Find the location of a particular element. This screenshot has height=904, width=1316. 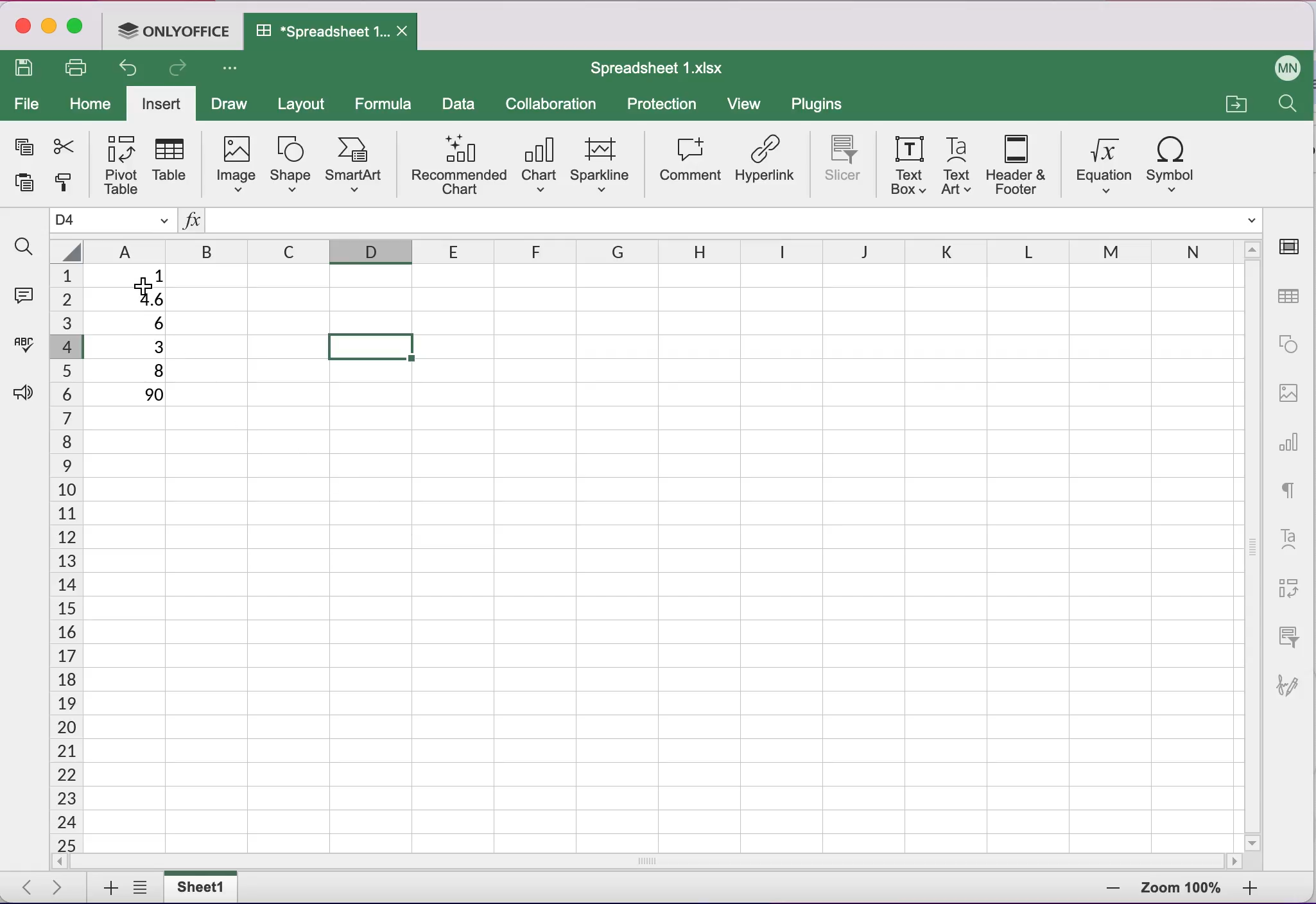

find is located at coordinates (1282, 104).